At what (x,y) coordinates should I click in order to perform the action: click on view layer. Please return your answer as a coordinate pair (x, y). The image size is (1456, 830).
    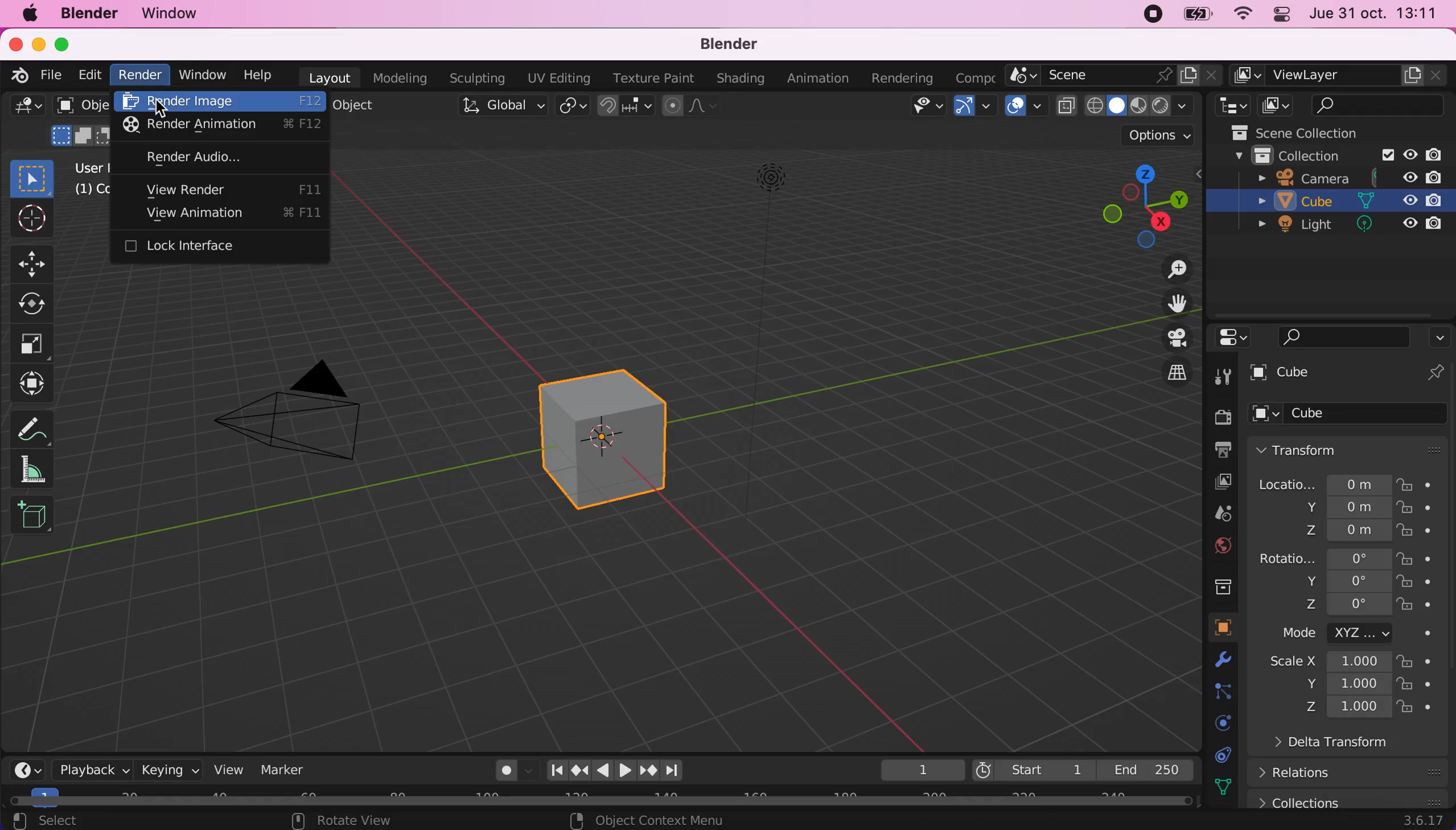
    Looking at the image, I should click on (1341, 75).